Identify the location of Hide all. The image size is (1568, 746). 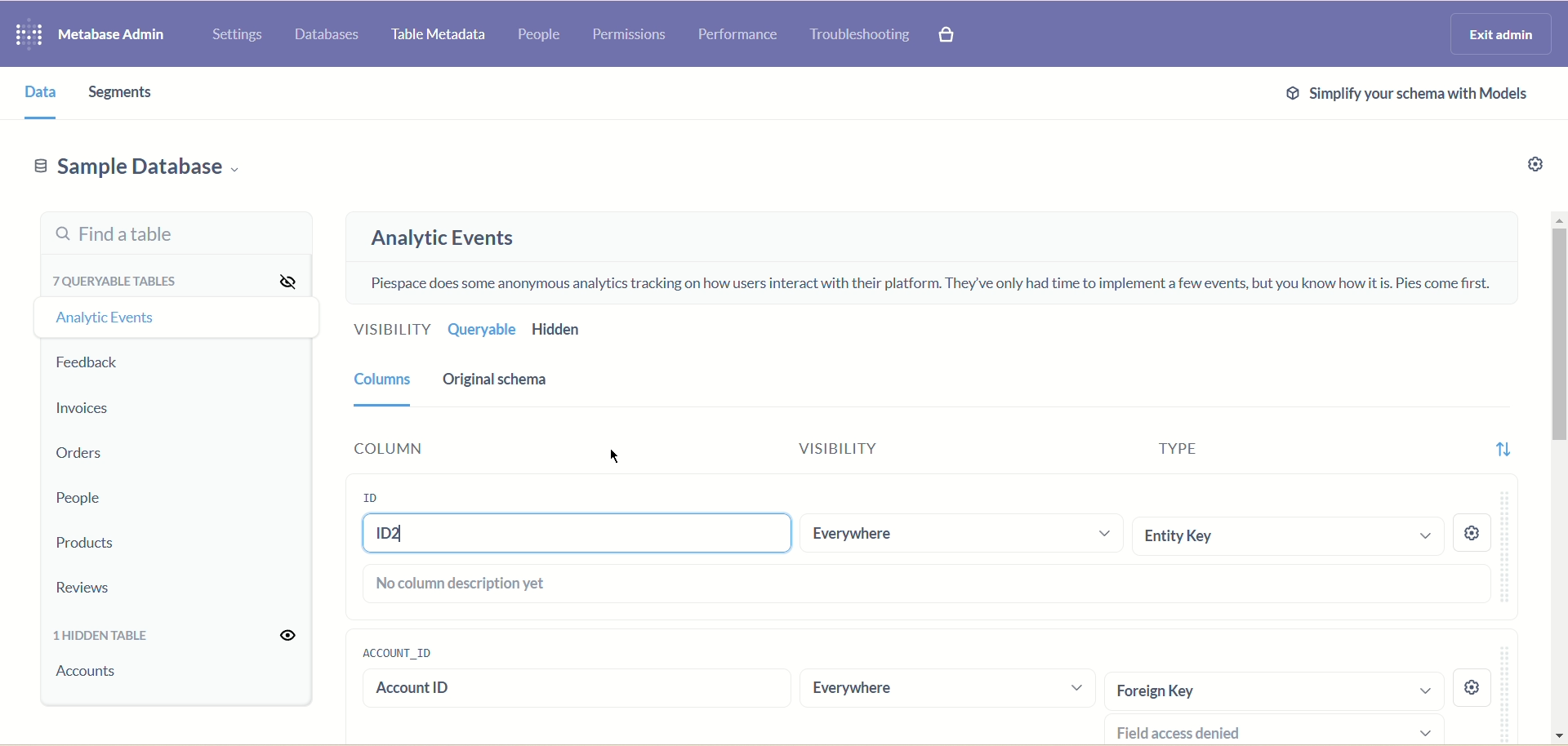
(278, 279).